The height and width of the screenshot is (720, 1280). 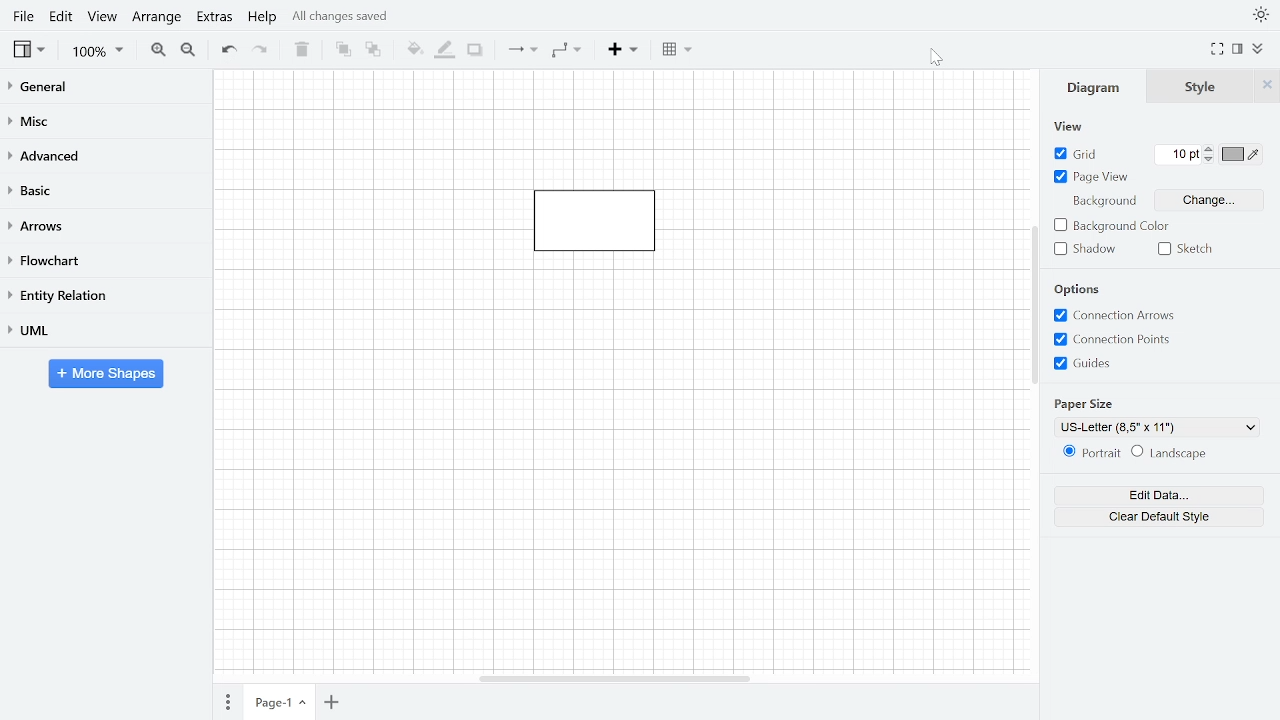 What do you see at coordinates (1217, 49) in the screenshot?
I see `Fullscreen` at bounding box center [1217, 49].